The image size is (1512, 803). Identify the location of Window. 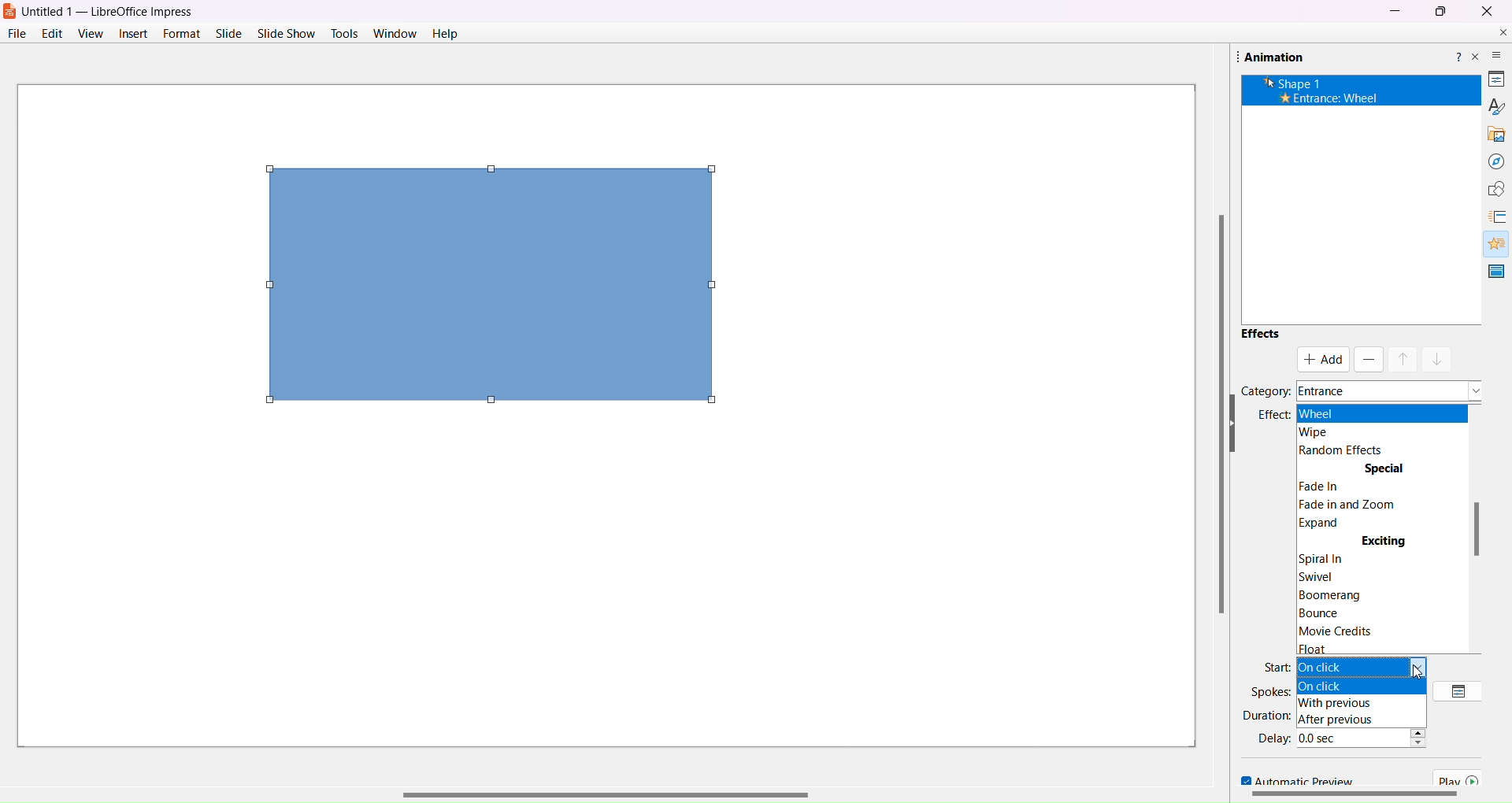
(395, 33).